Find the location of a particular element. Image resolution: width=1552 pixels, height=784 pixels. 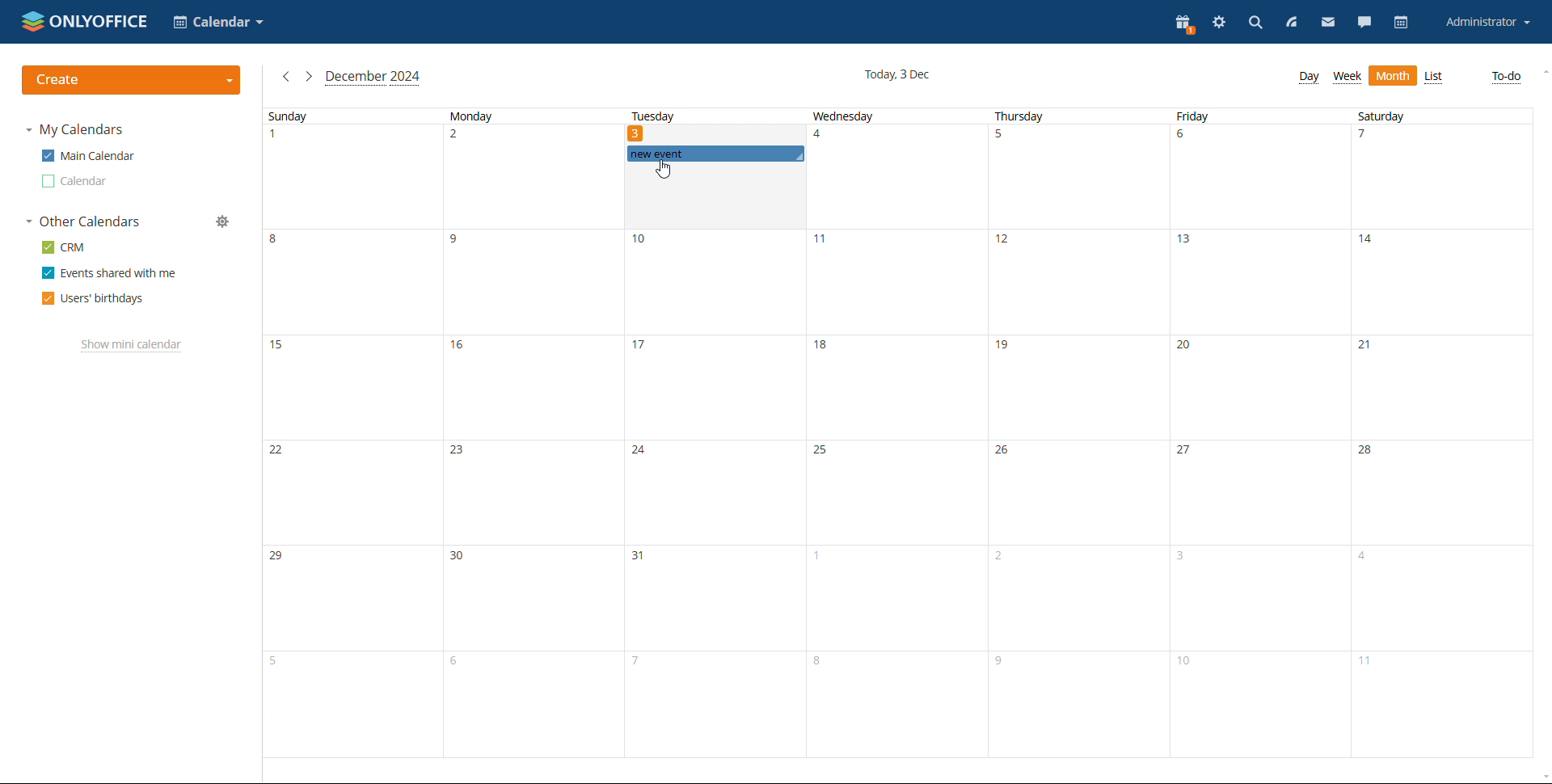

current date is located at coordinates (896, 76).